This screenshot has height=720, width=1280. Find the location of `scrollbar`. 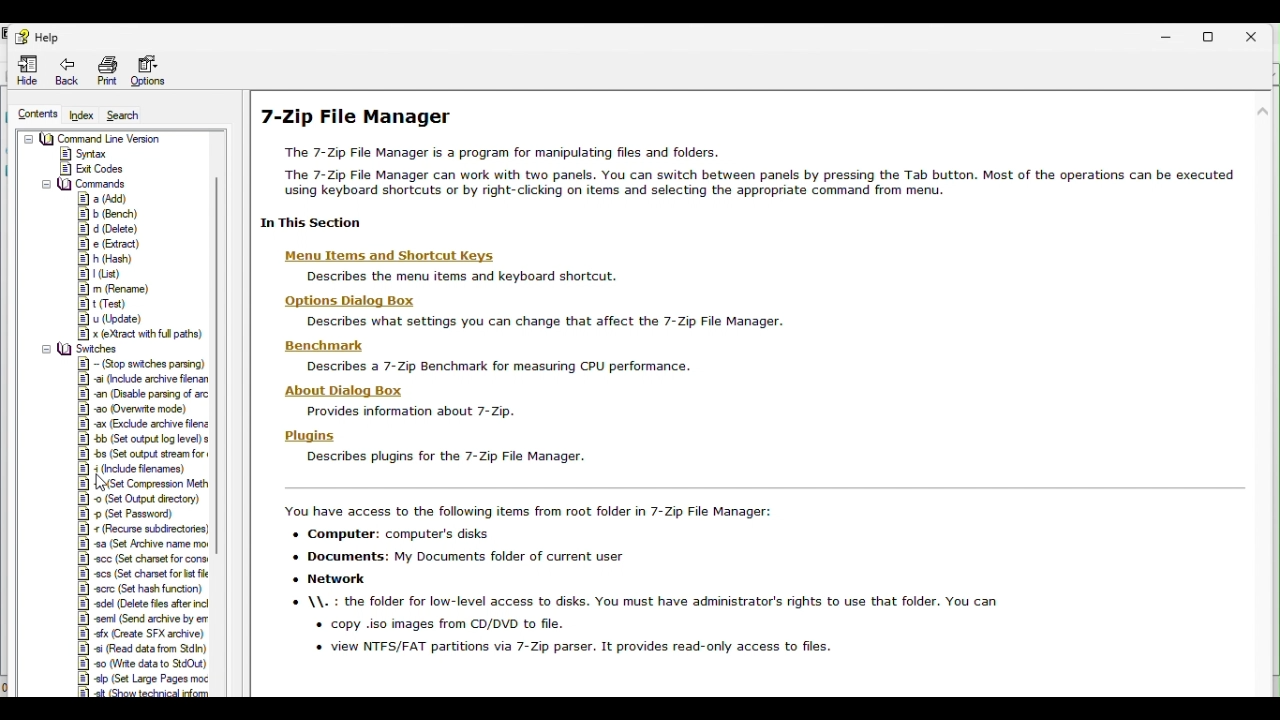

scrollbar is located at coordinates (226, 342).